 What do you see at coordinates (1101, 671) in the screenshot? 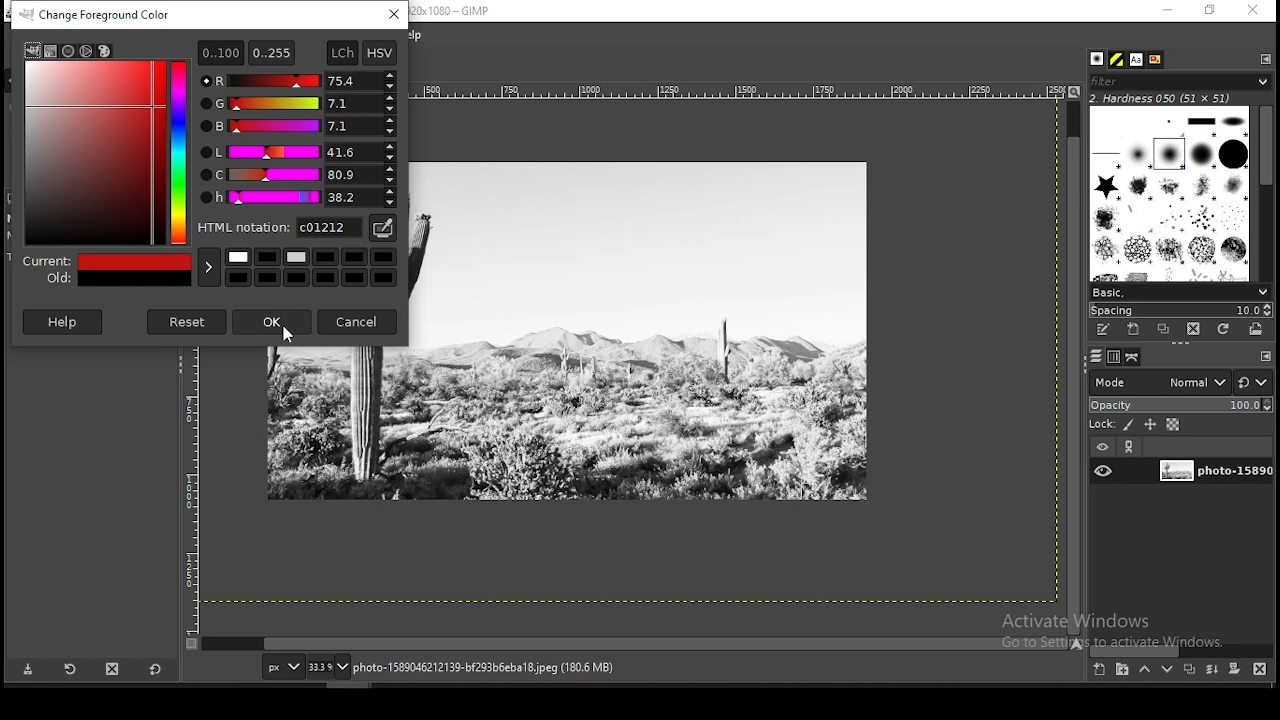
I see `new layer` at bounding box center [1101, 671].